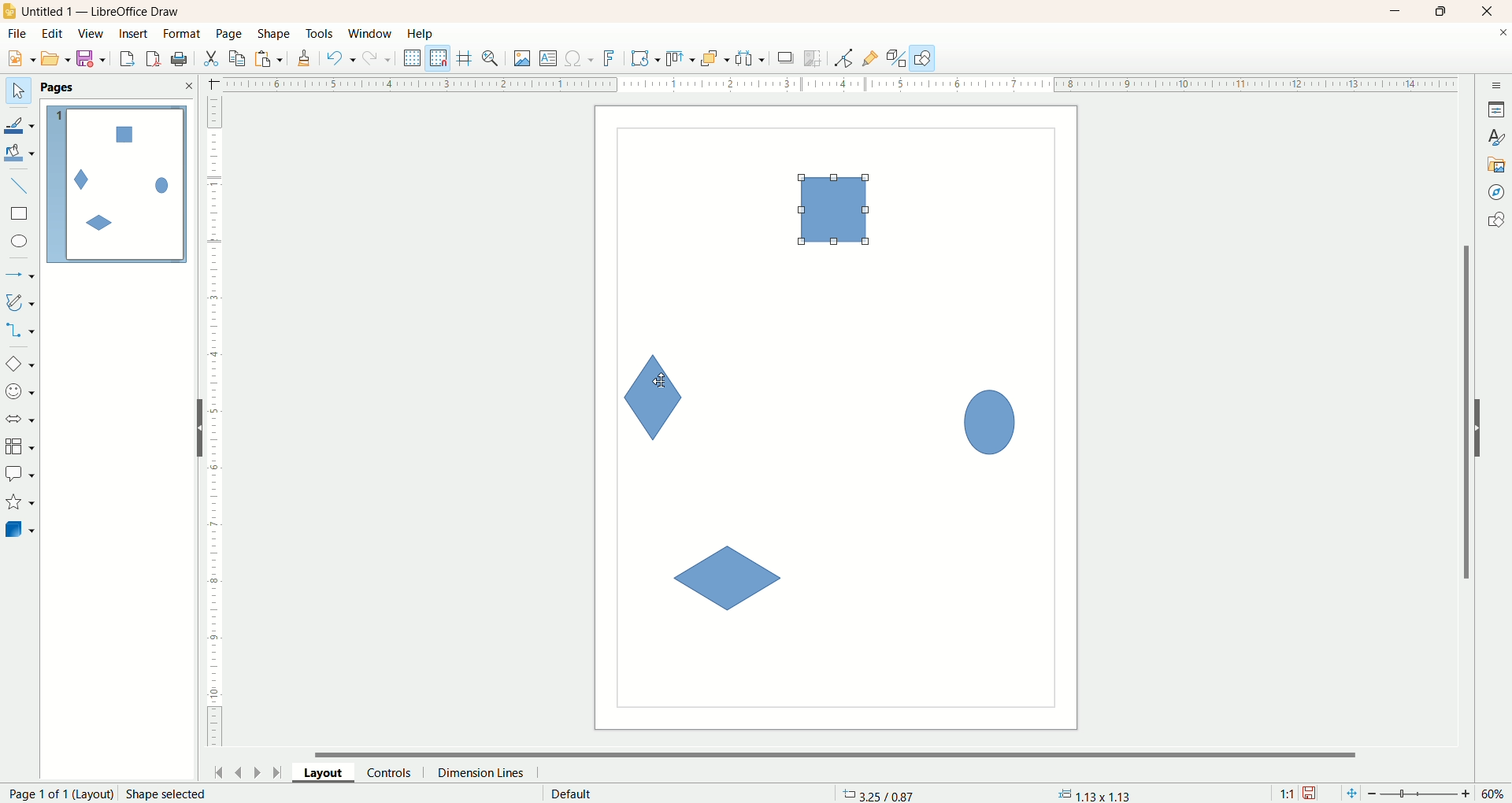  What do you see at coordinates (1495, 222) in the screenshot?
I see `shapes` at bounding box center [1495, 222].